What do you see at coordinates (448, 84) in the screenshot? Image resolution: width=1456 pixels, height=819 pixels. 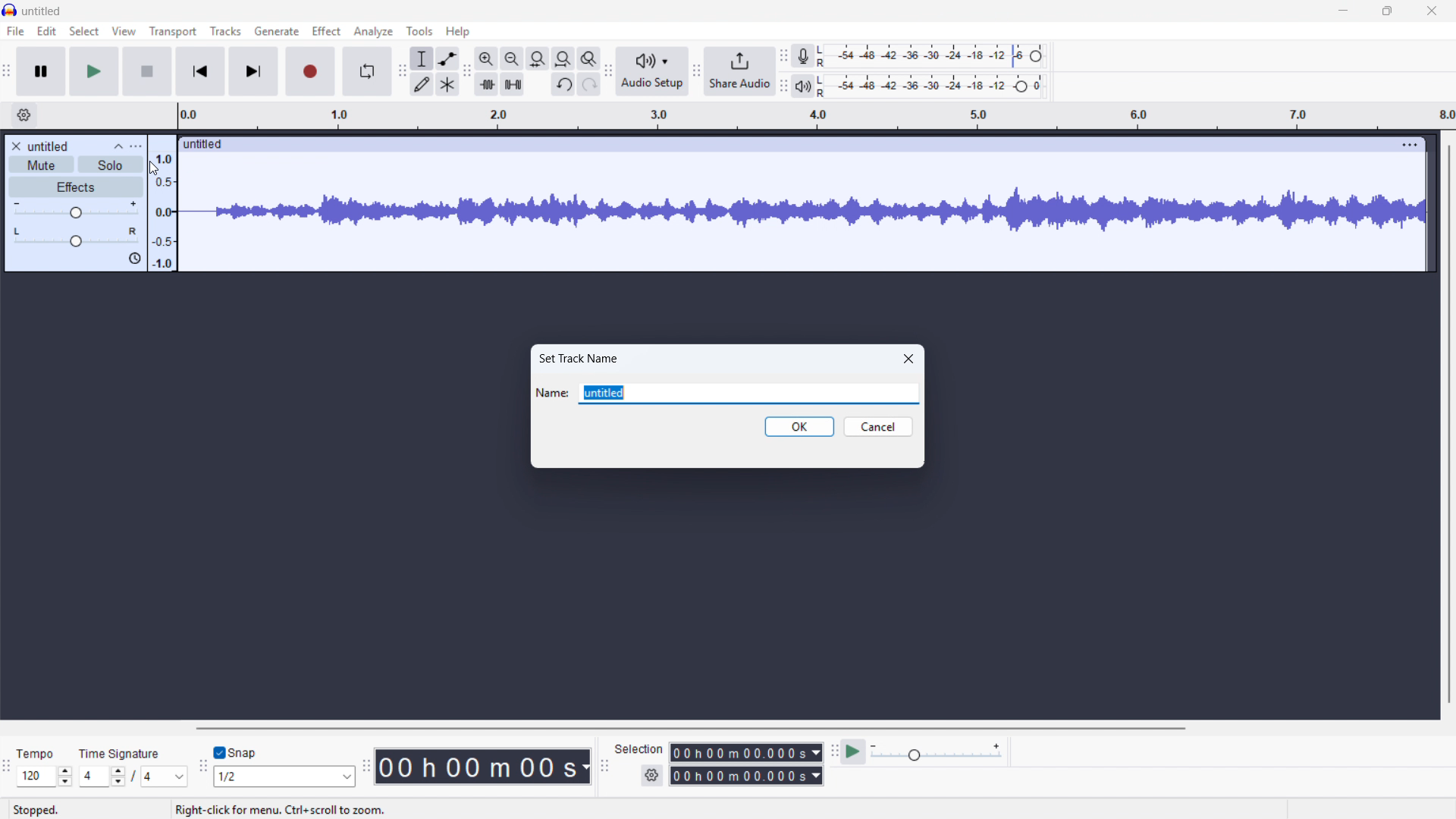 I see `Multi - tool ` at bounding box center [448, 84].